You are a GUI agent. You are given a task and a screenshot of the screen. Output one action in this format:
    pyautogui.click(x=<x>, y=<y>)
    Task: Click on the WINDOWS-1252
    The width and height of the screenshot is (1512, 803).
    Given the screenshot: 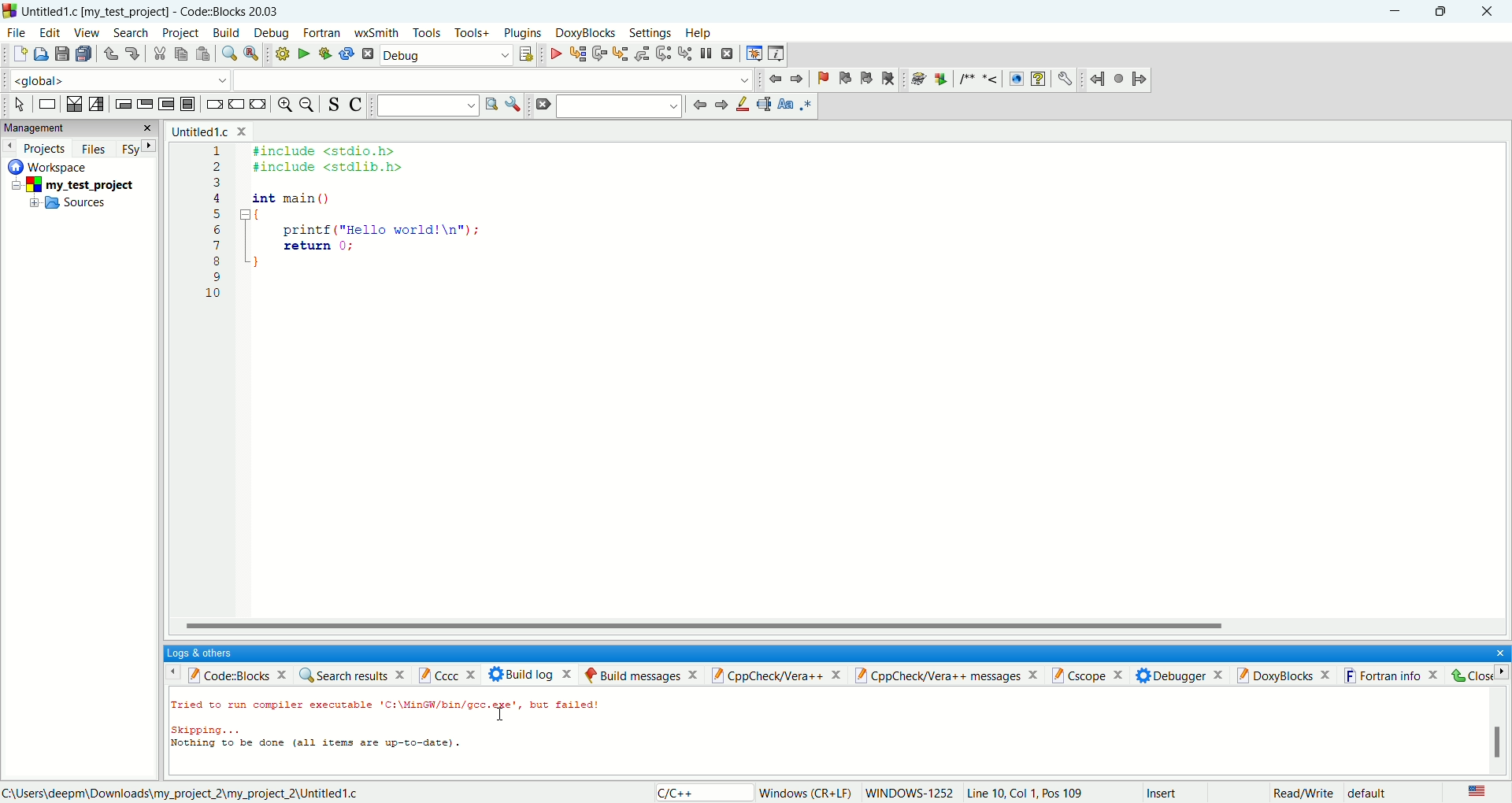 What is the action you would take?
    pyautogui.click(x=910, y=793)
    